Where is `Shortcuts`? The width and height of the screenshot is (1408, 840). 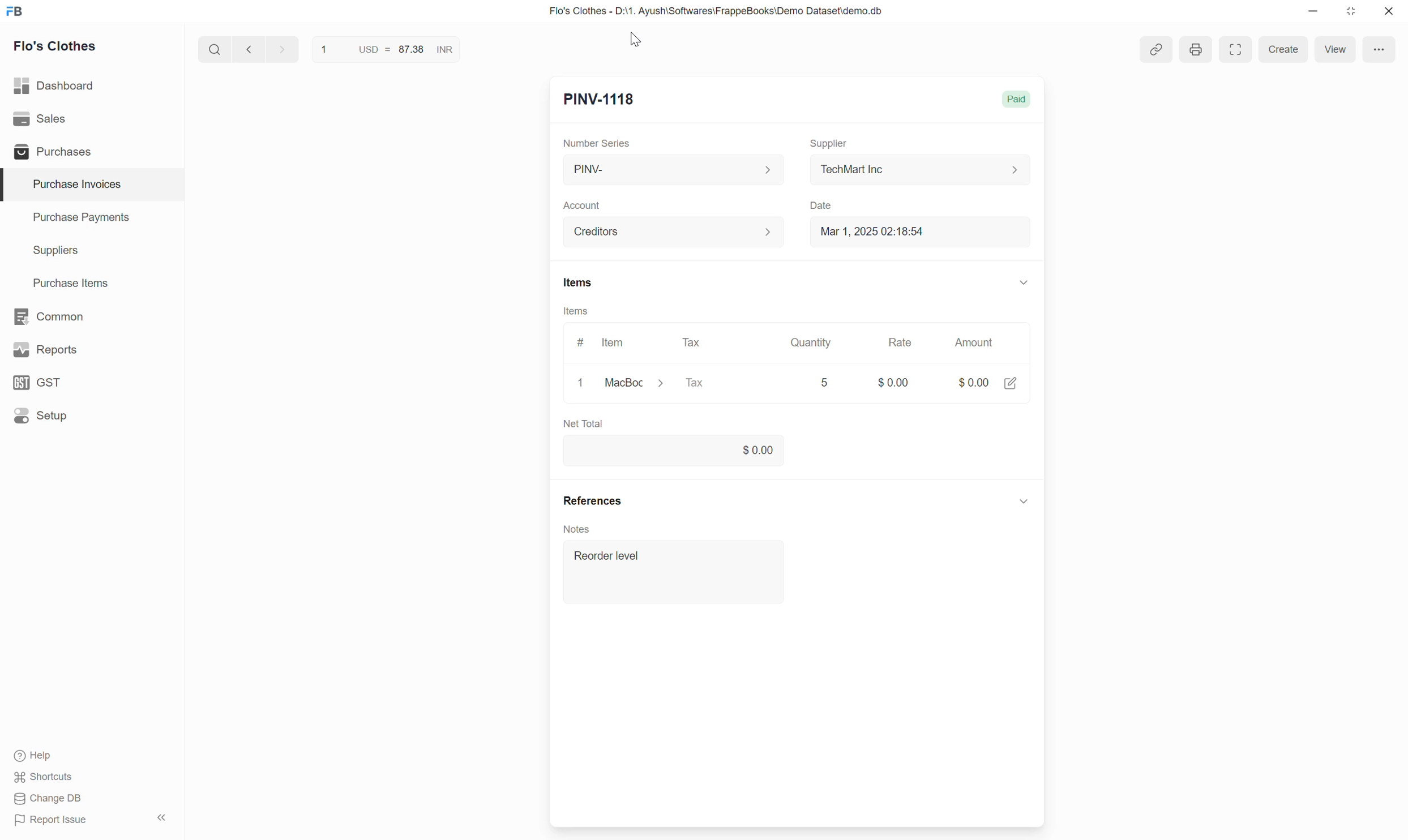 Shortcuts is located at coordinates (44, 777).